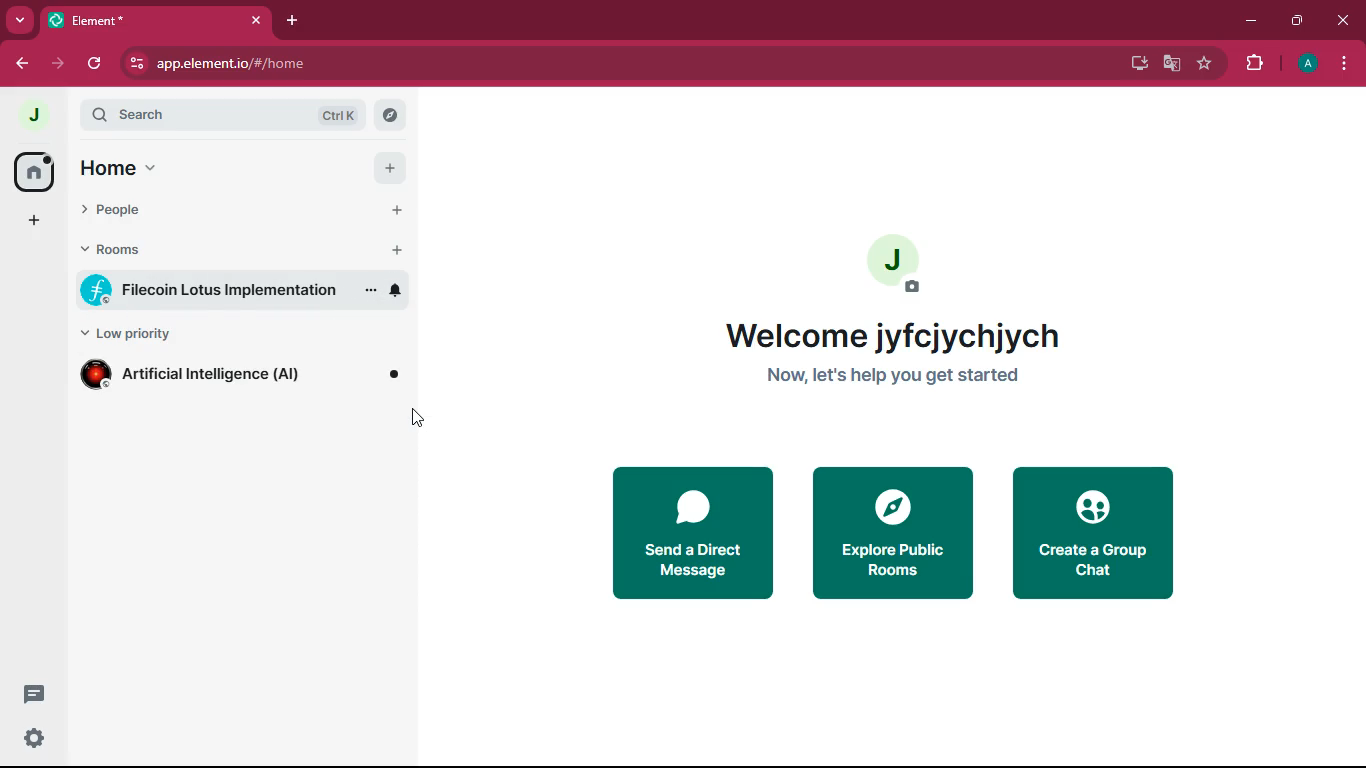  I want to click on room options, so click(371, 293).